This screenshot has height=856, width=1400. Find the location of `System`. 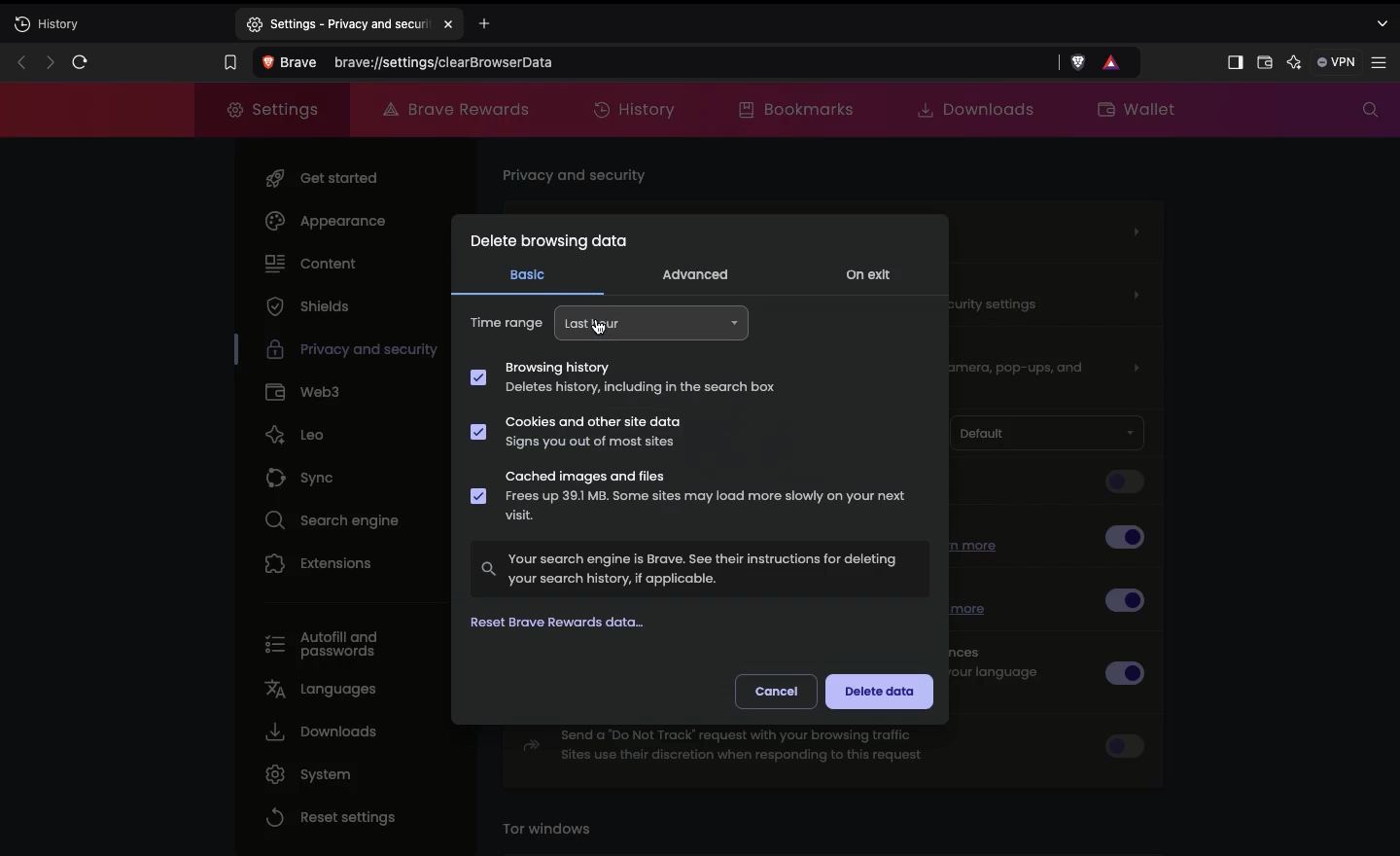

System is located at coordinates (308, 774).